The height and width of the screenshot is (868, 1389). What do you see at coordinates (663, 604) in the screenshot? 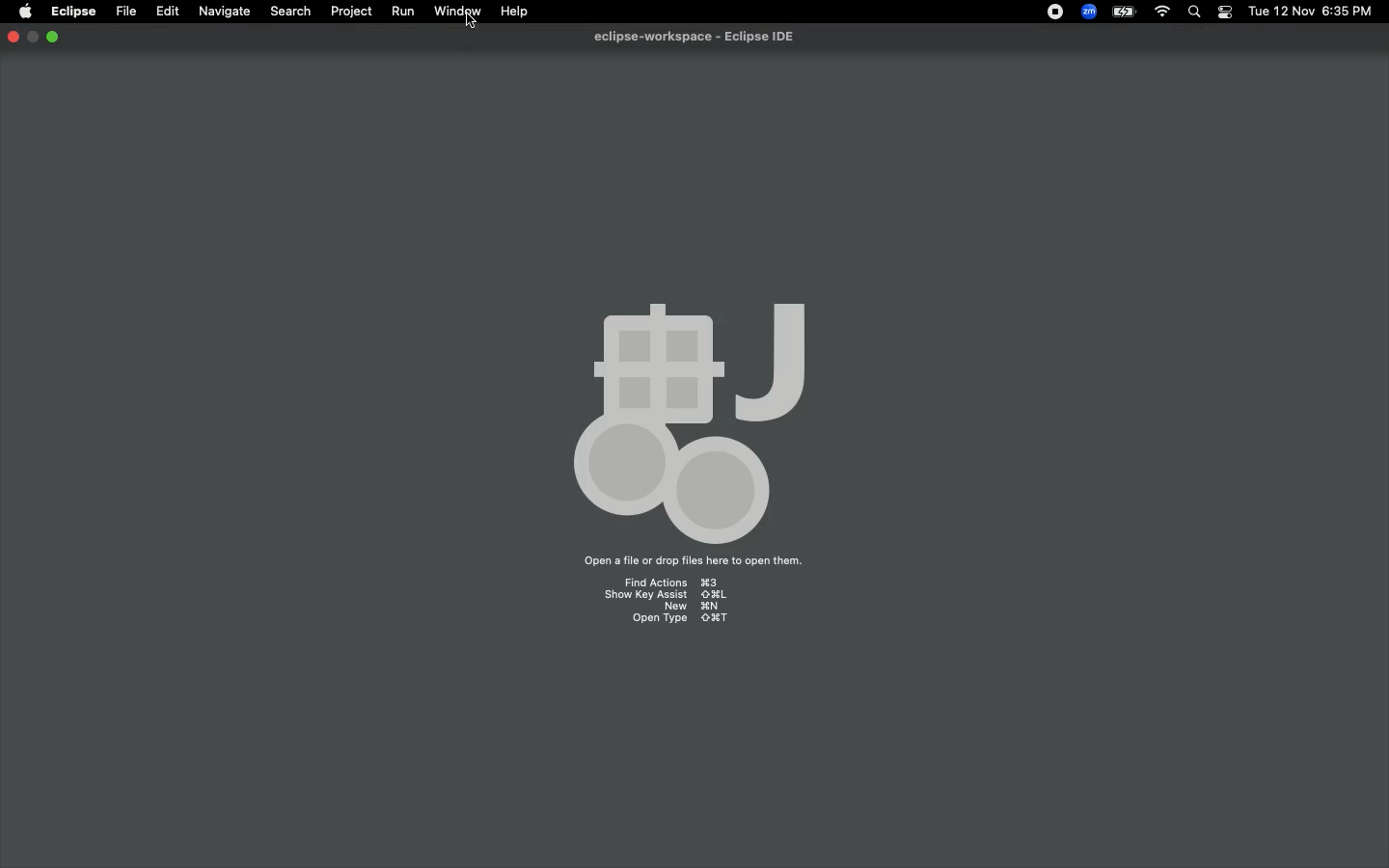
I see `Shortcuts` at bounding box center [663, 604].